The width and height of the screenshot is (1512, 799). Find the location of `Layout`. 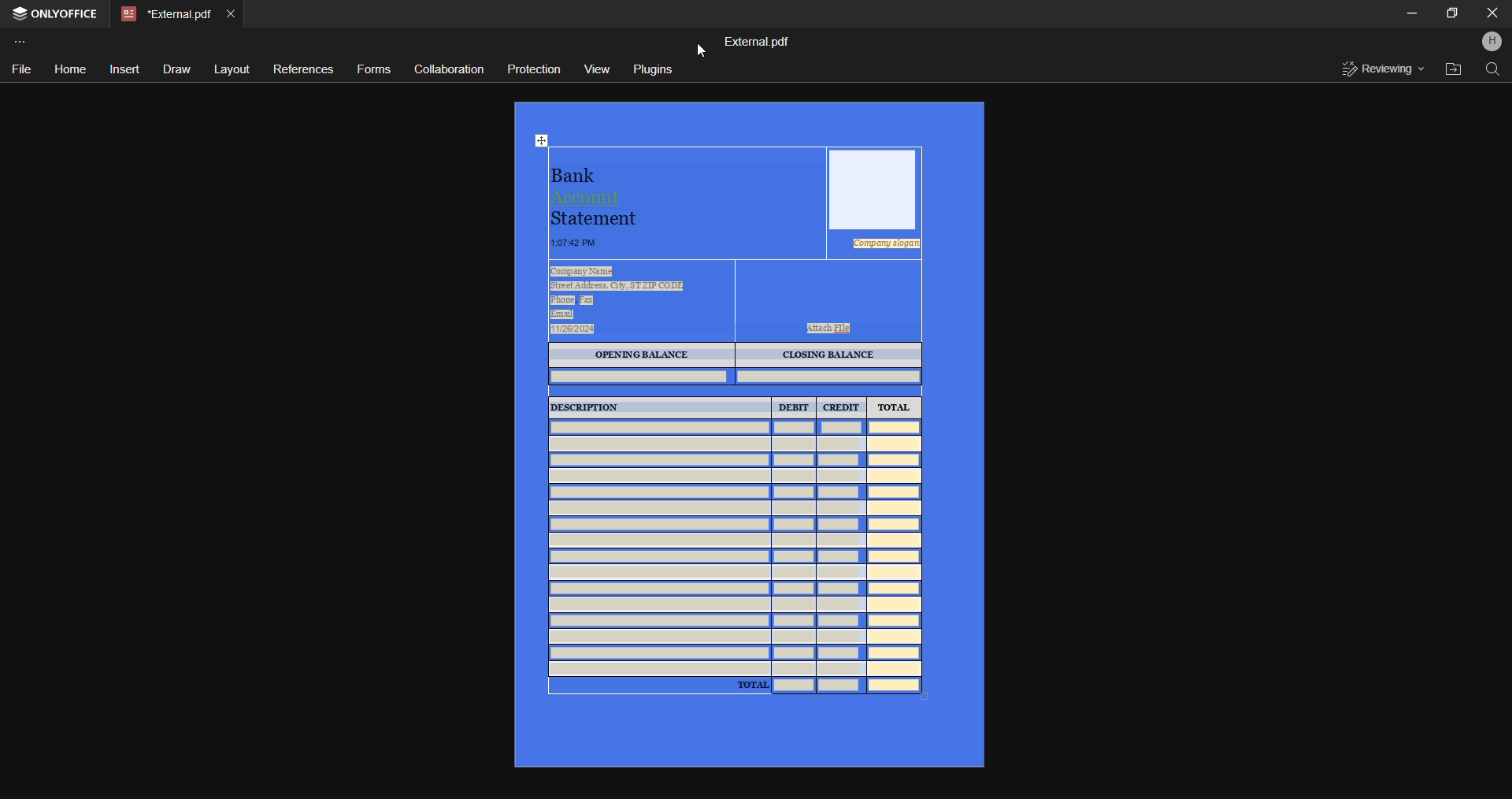

Layout is located at coordinates (228, 68).